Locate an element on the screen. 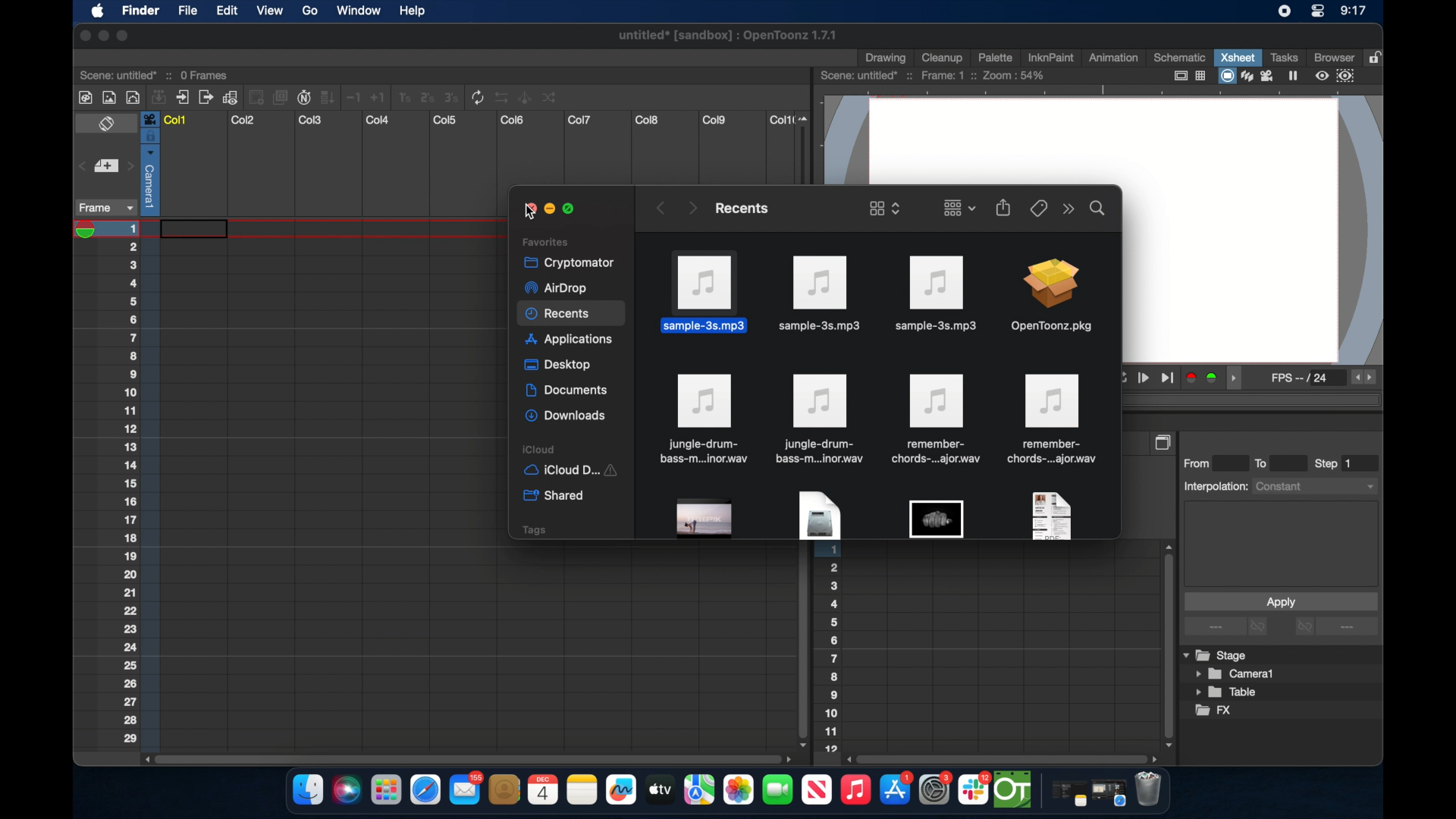 The height and width of the screenshot is (819, 1456). more options is located at coordinates (1336, 628).